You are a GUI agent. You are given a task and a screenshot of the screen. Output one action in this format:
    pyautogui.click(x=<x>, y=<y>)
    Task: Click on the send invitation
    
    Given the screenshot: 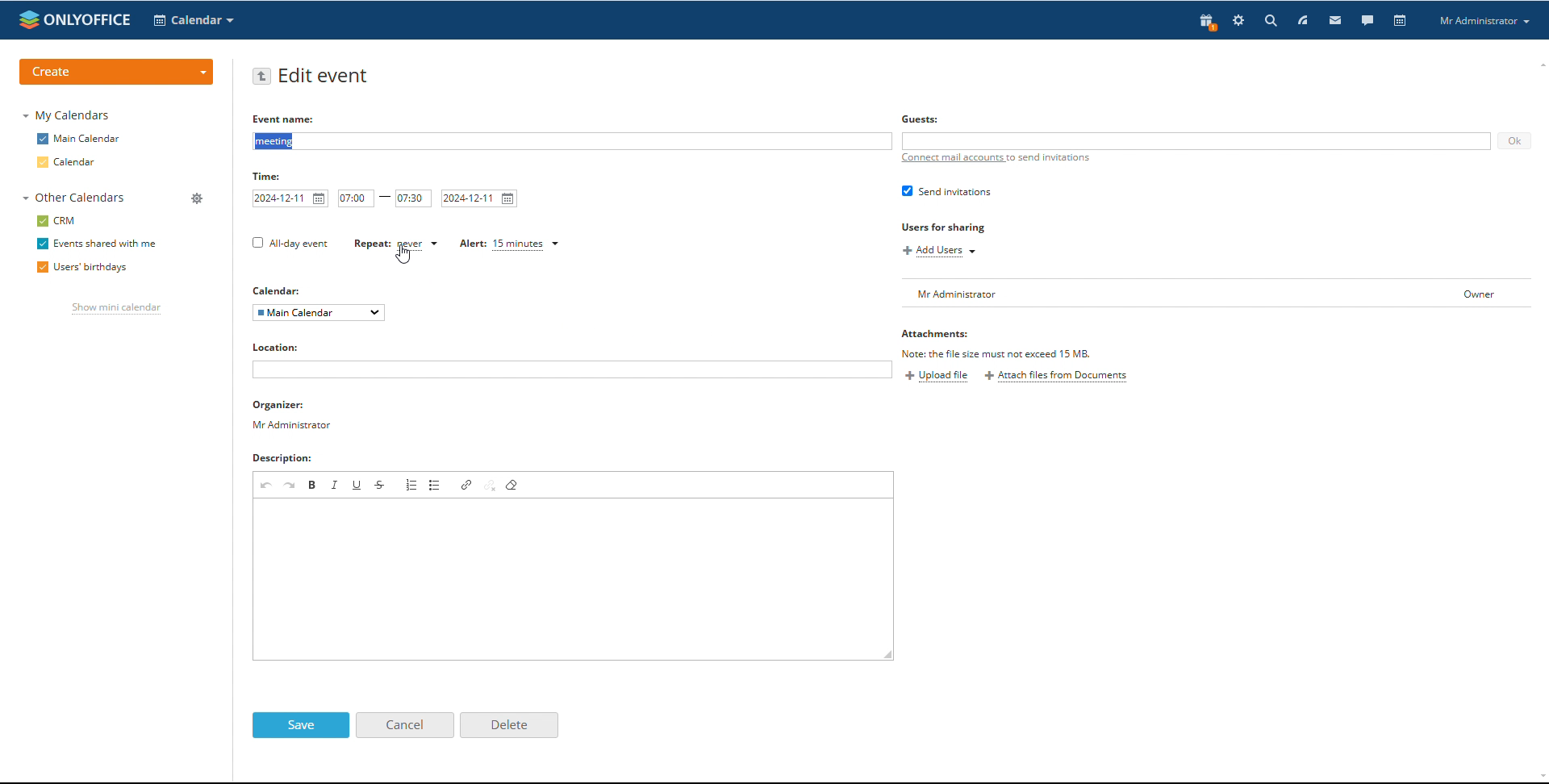 What is the action you would take?
    pyautogui.click(x=946, y=190)
    